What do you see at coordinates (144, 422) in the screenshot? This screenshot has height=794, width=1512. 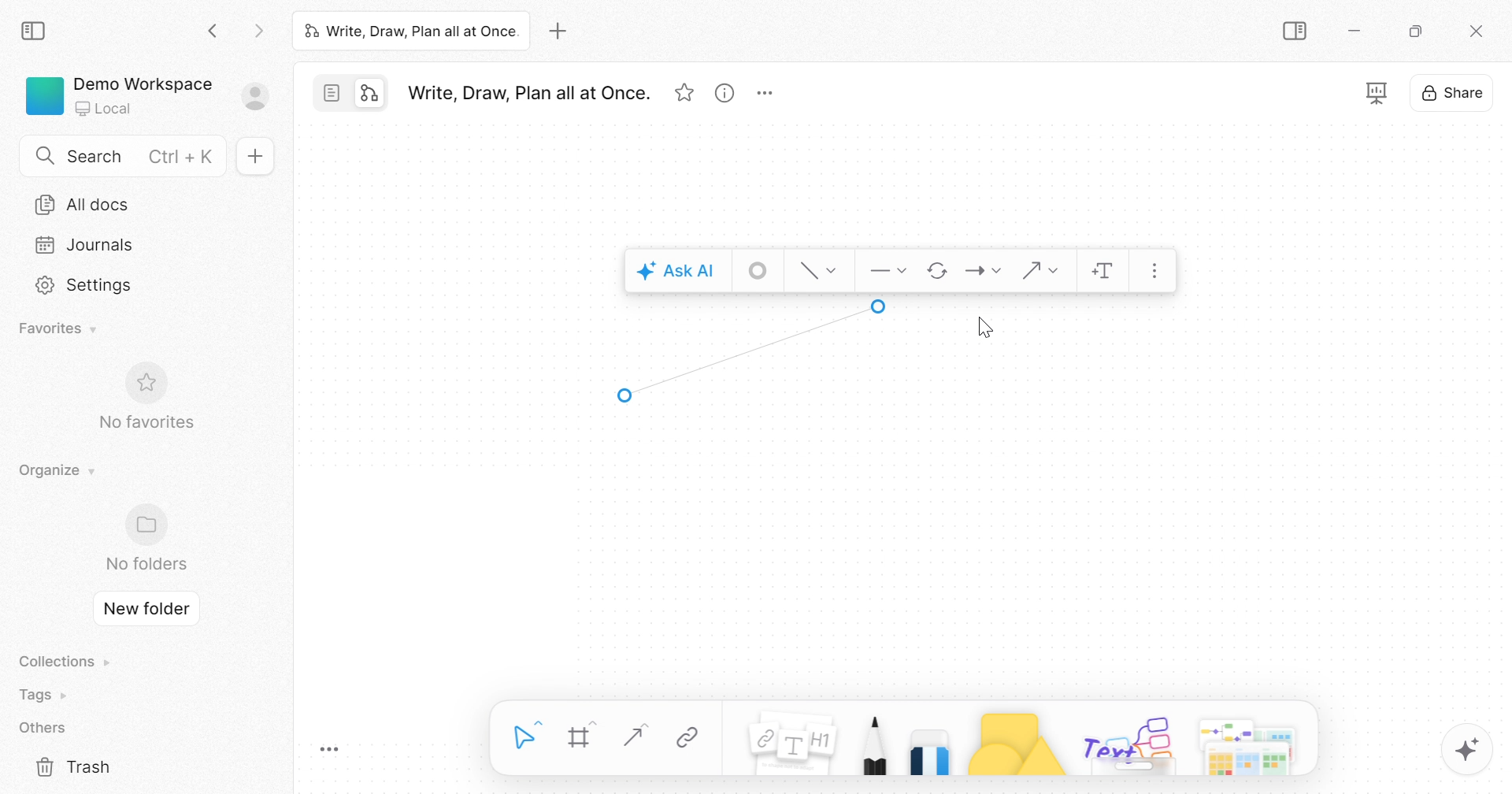 I see `No favorites` at bounding box center [144, 422].